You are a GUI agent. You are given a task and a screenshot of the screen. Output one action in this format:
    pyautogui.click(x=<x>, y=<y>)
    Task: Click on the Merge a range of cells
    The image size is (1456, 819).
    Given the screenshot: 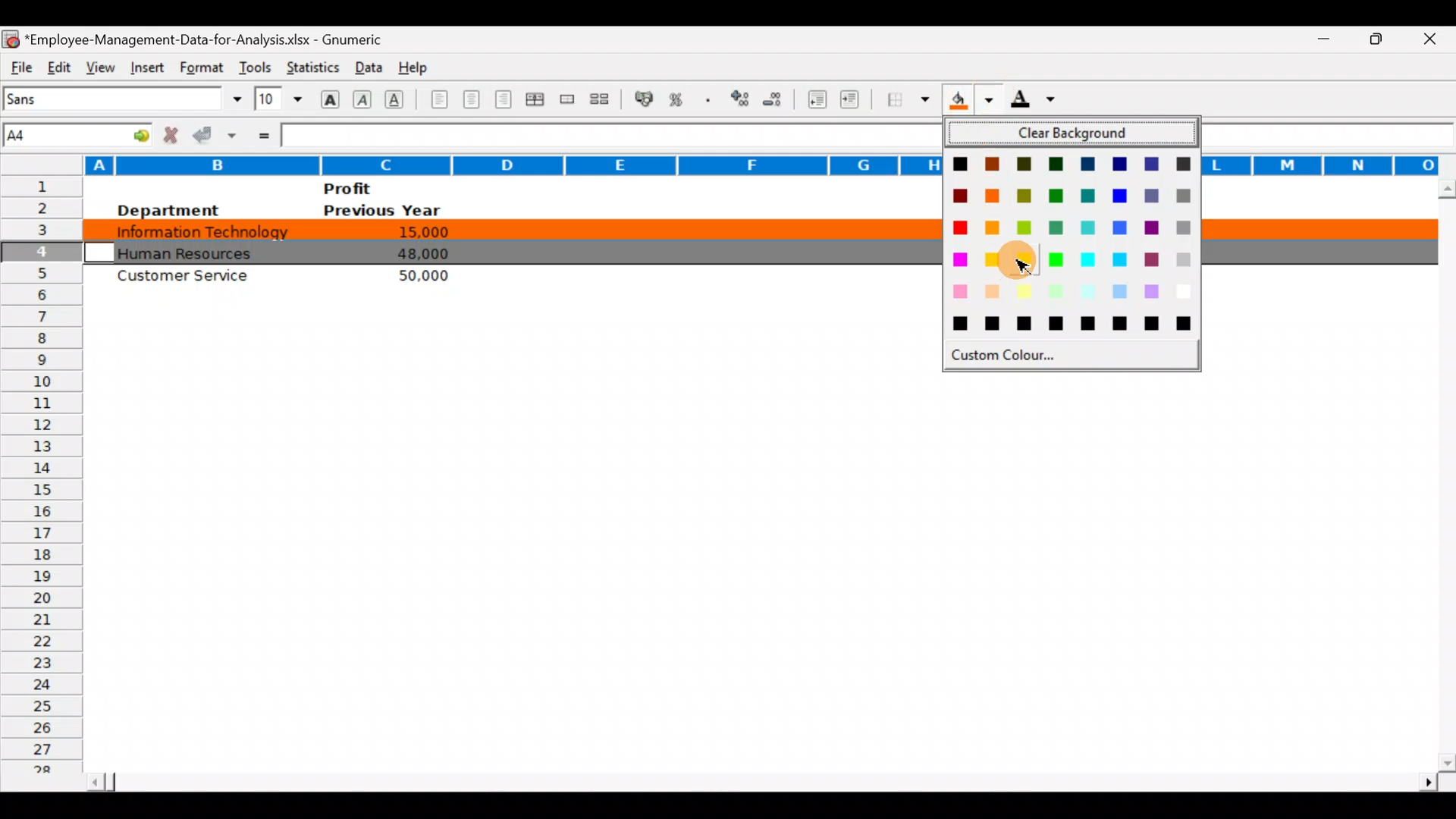 What is the action you would take?
    pyautogui.click(x=566, y=101)
    